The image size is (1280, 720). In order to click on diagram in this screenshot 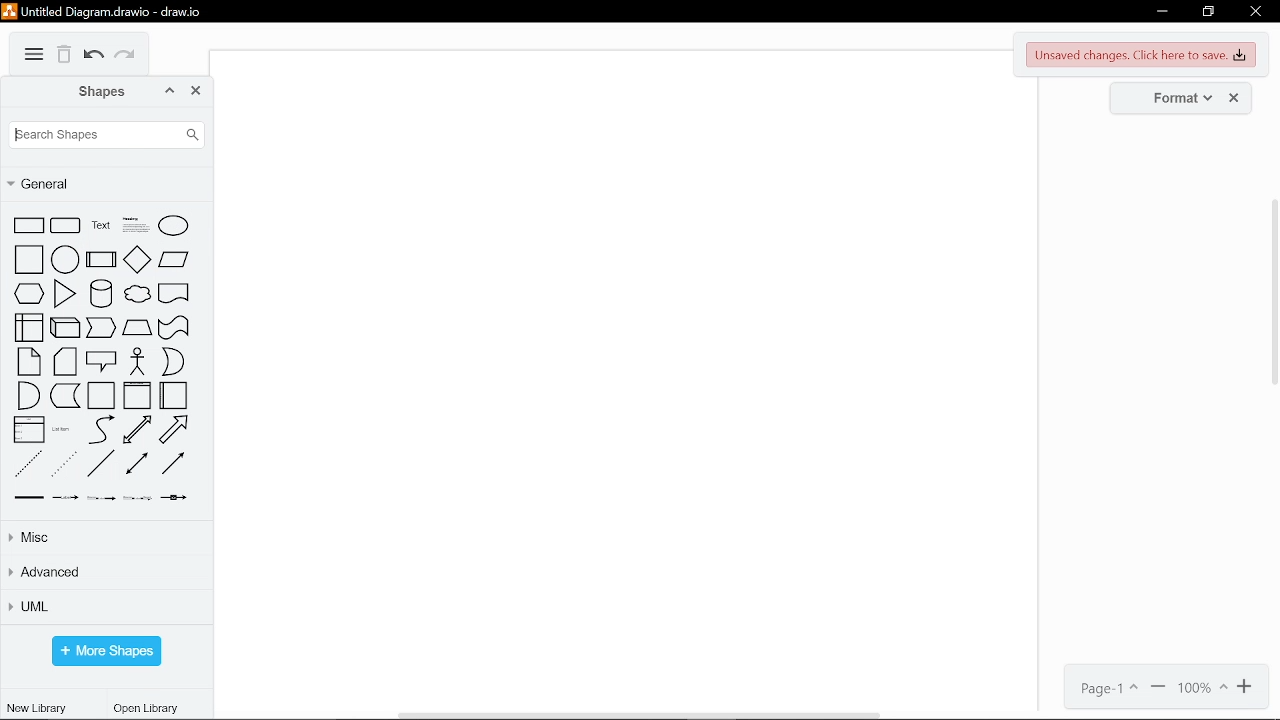, I will do `click(34, 55)`.